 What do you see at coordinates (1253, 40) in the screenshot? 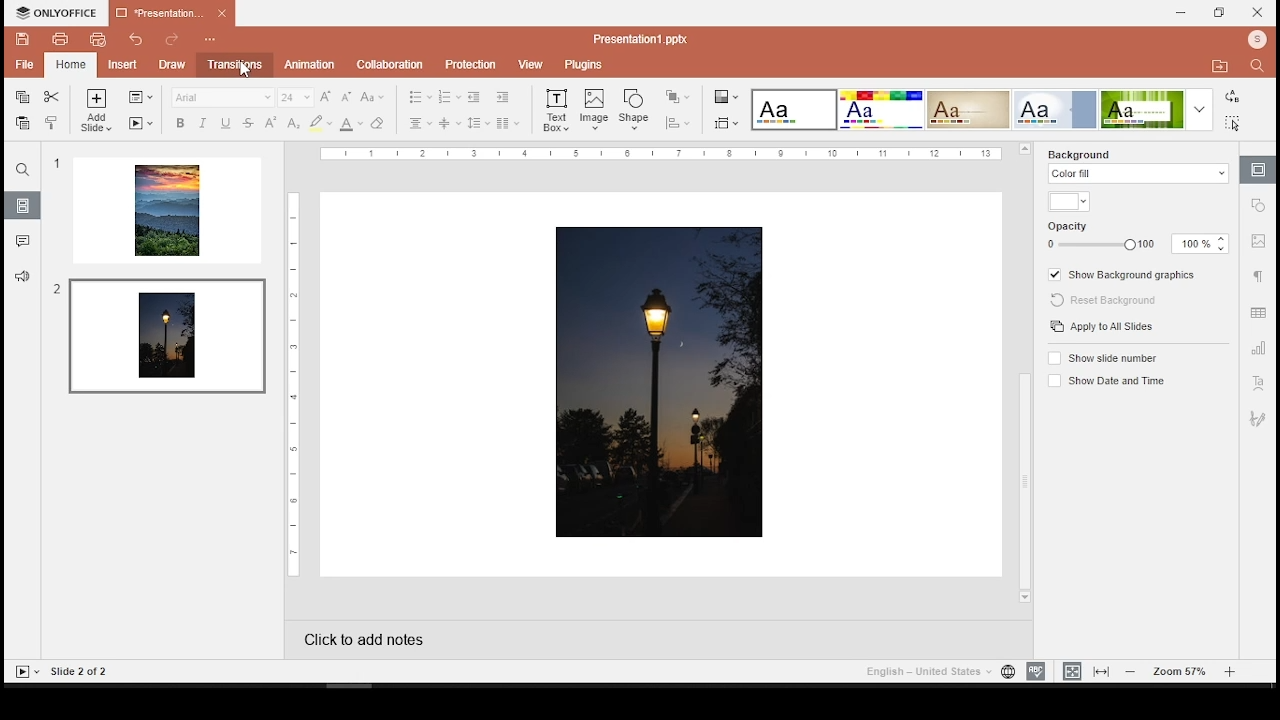
I see `profile` at bounding box center [1253, 40].